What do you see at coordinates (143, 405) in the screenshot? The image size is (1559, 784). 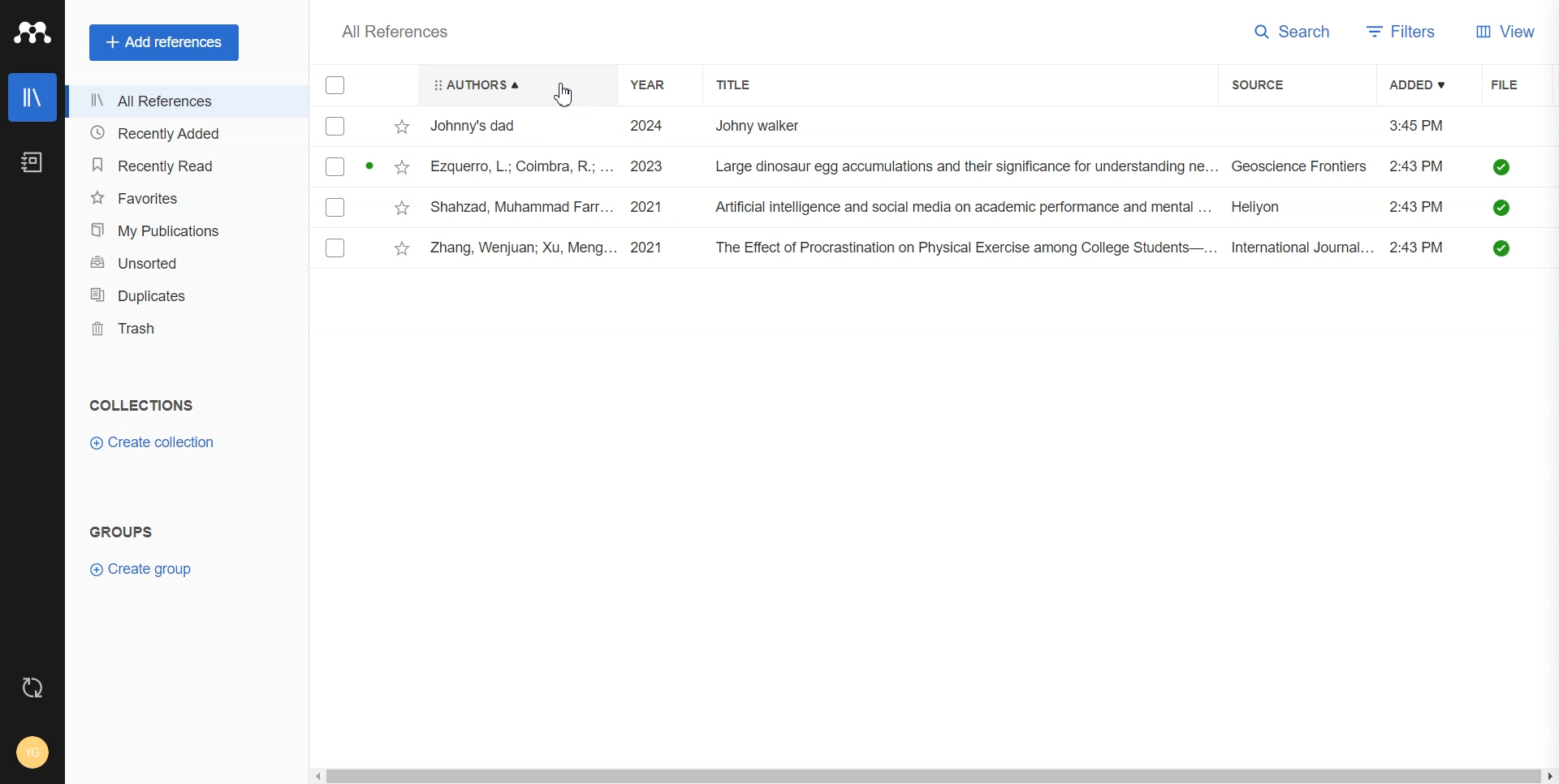 I see `Text` at bounding box center [143, 405].